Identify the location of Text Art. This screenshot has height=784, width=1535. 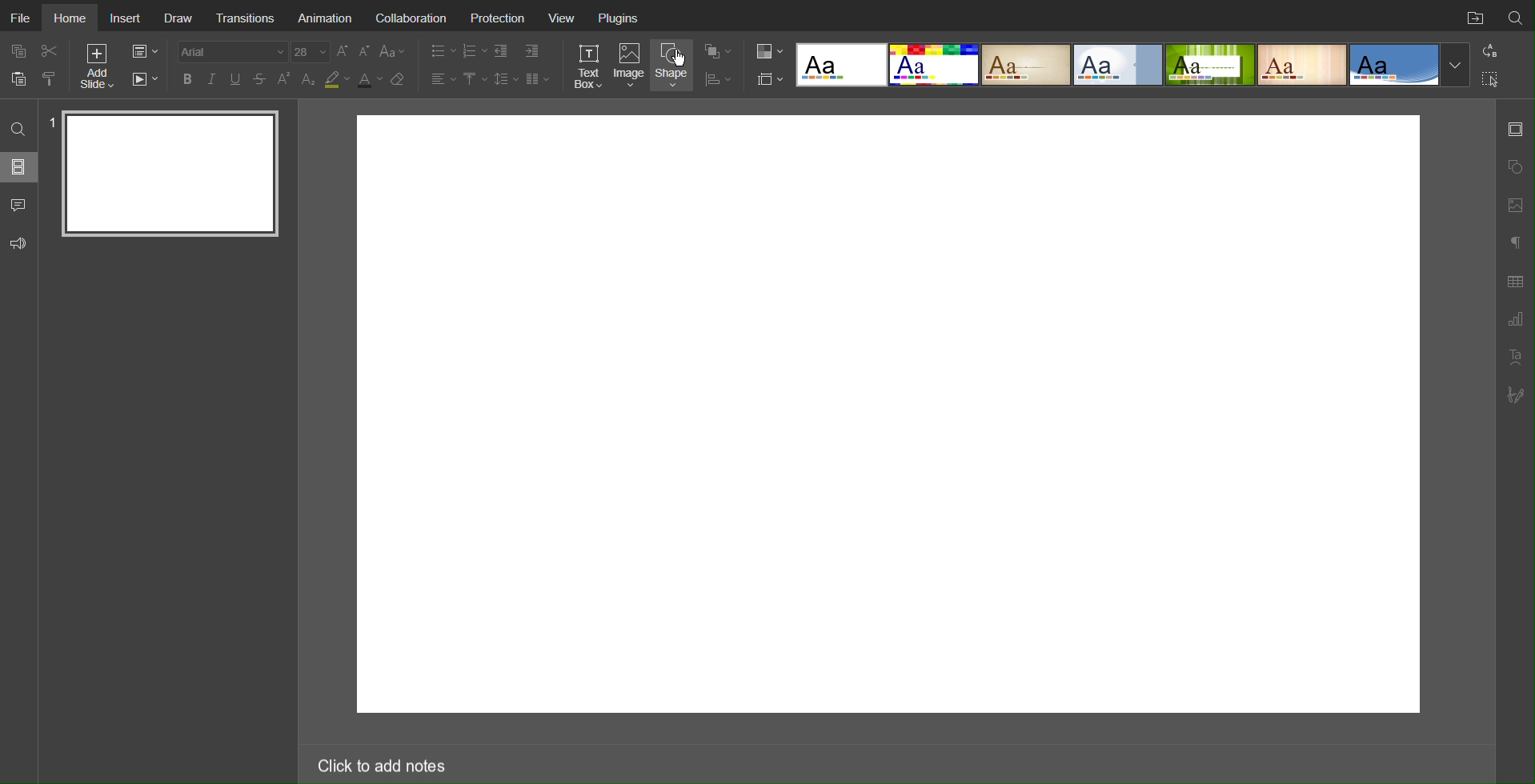
(1515, 357).